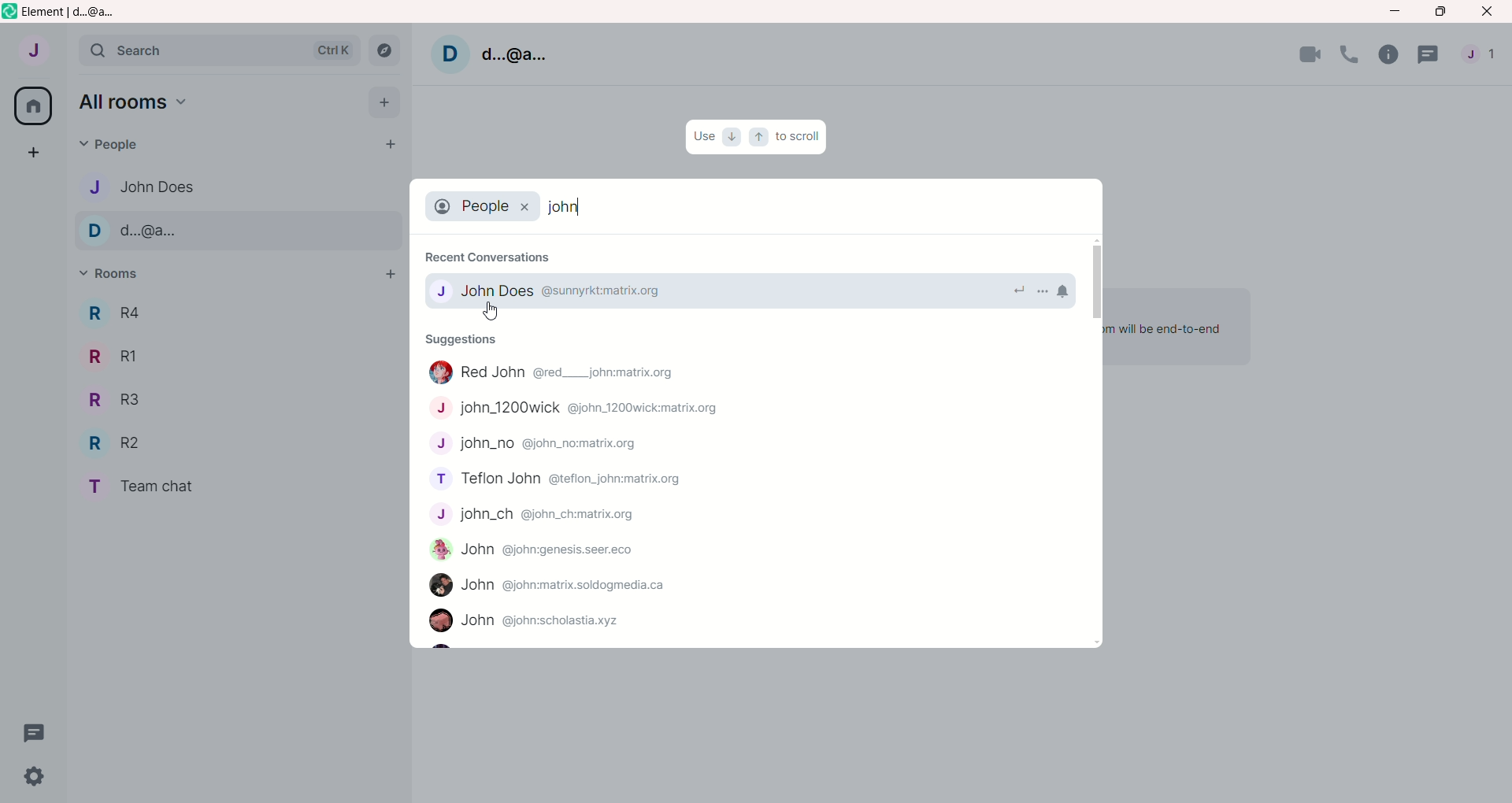 Image resolution: width=1512 pixels, height=803 pixels. What do you see at coordinates (542, 444) in the screenshot?
I see `john_no` at bounding box center [542, 444].